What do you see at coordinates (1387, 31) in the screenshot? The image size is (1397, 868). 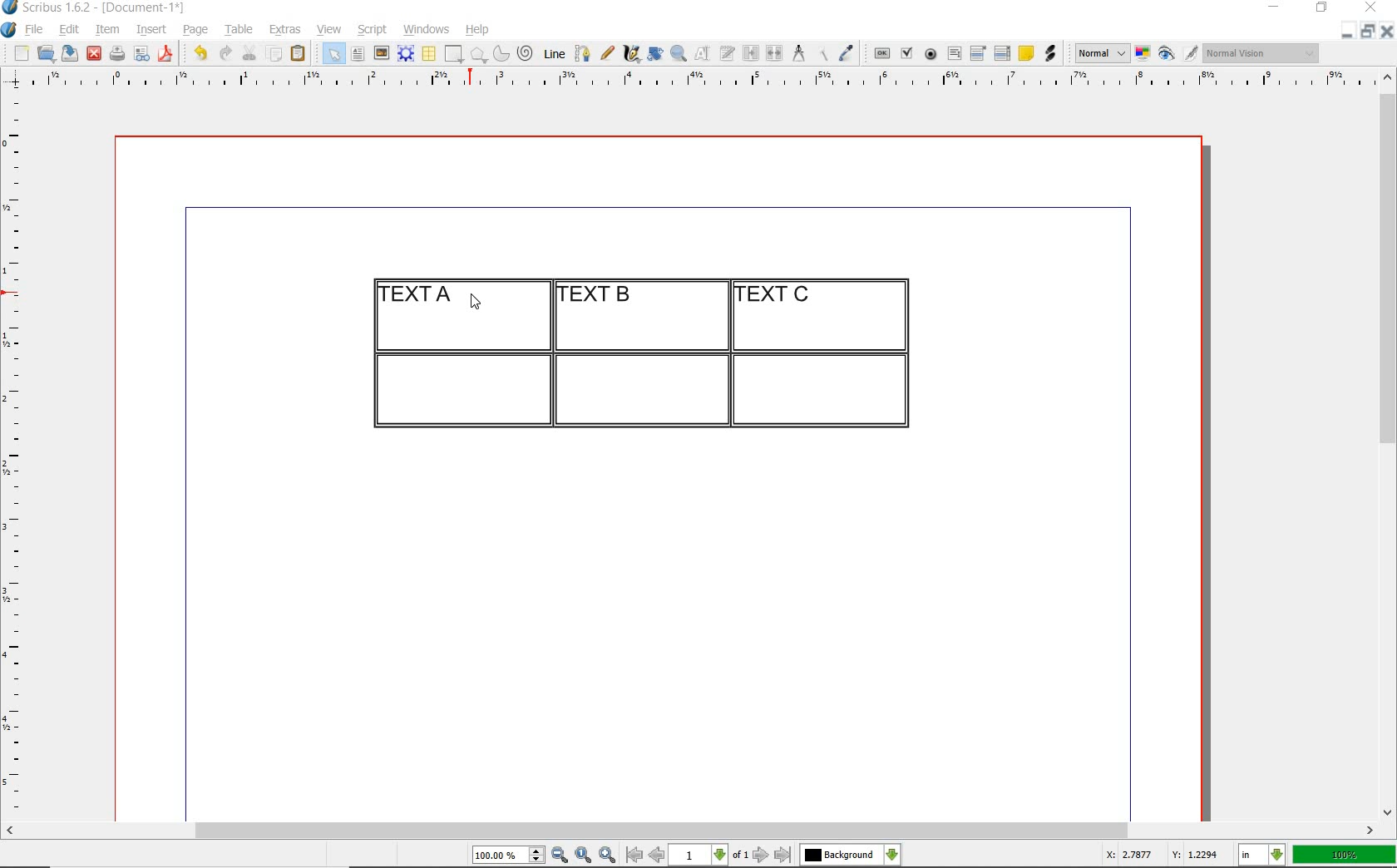 I see `close` at bounding box center [1387, 31].